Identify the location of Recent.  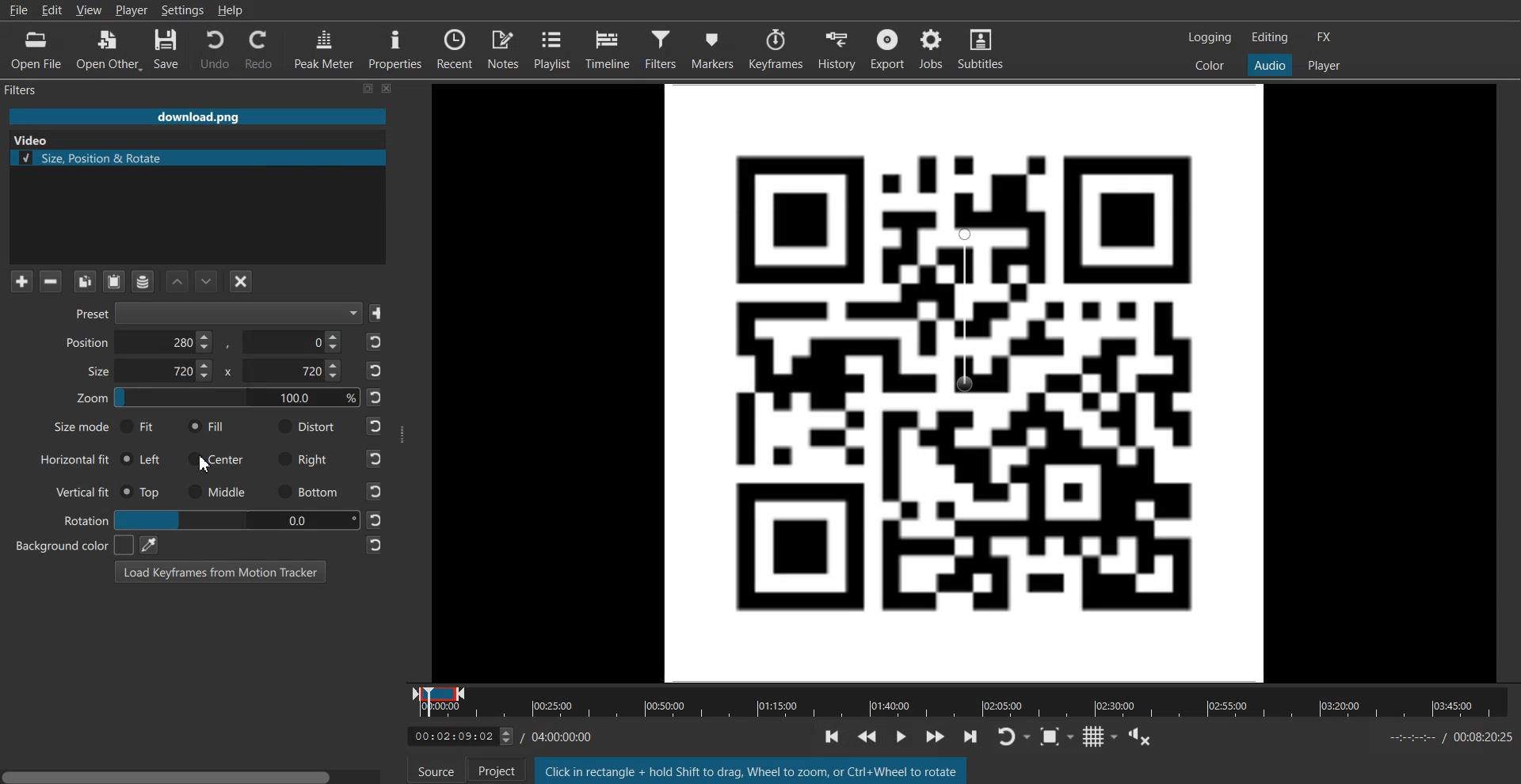
(456, 48).